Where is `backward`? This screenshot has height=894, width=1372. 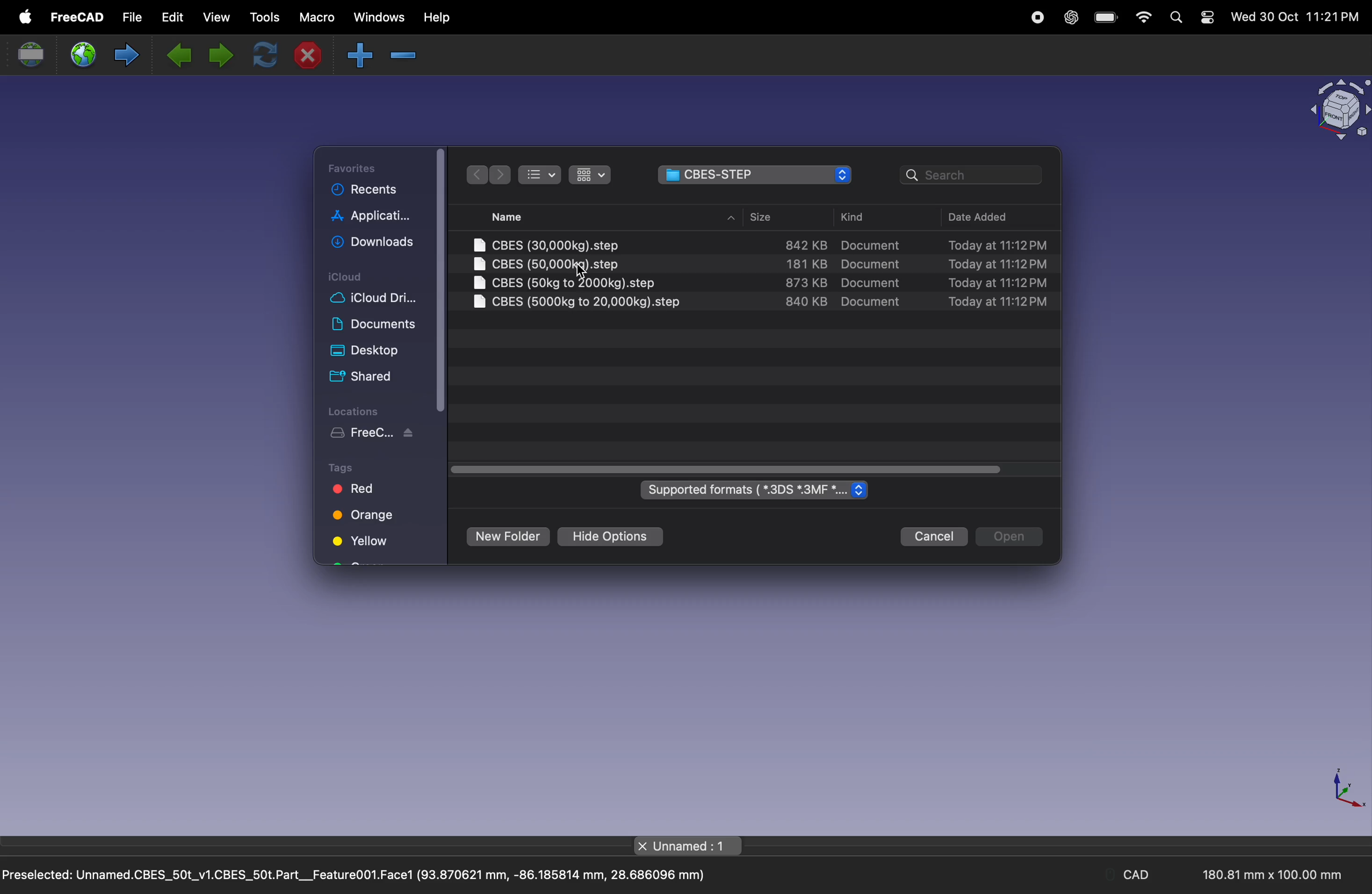 backward is located at coordinates (478, 176).